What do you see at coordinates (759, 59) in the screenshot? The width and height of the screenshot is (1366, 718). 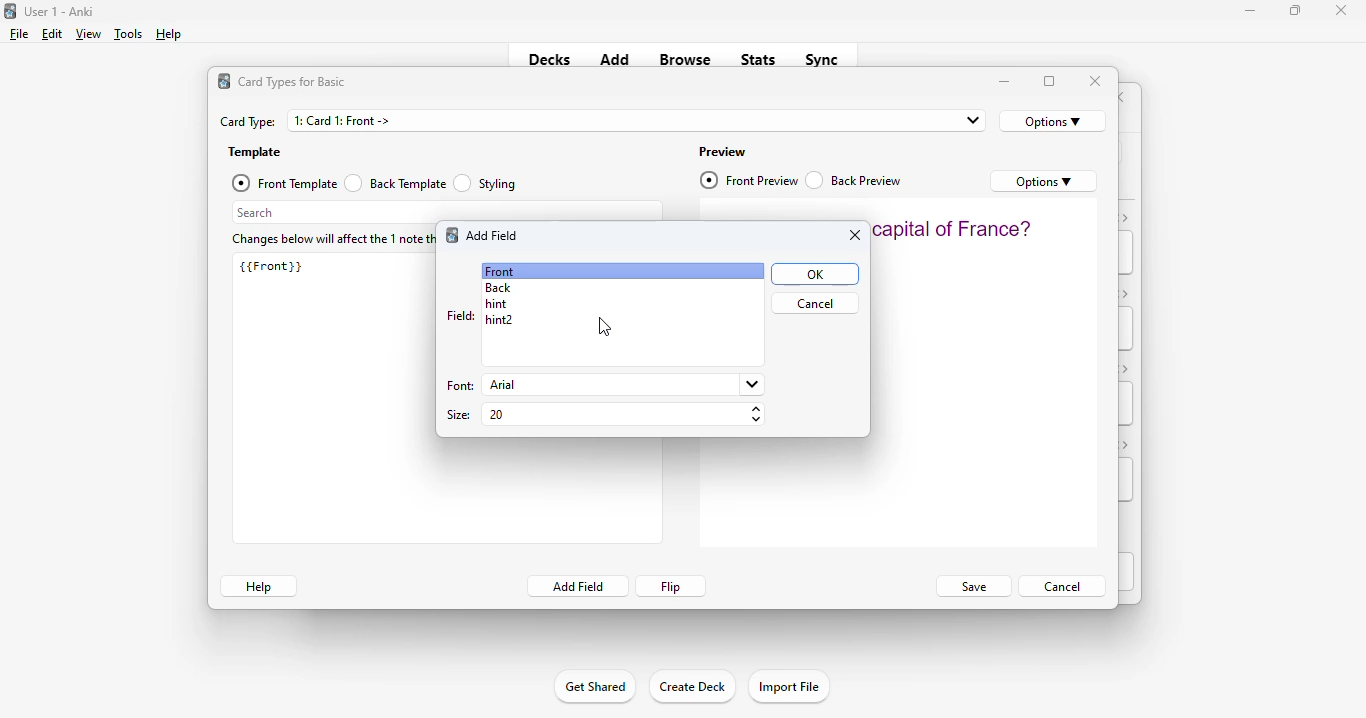 I see `stats` at bounding box center [759, 59].